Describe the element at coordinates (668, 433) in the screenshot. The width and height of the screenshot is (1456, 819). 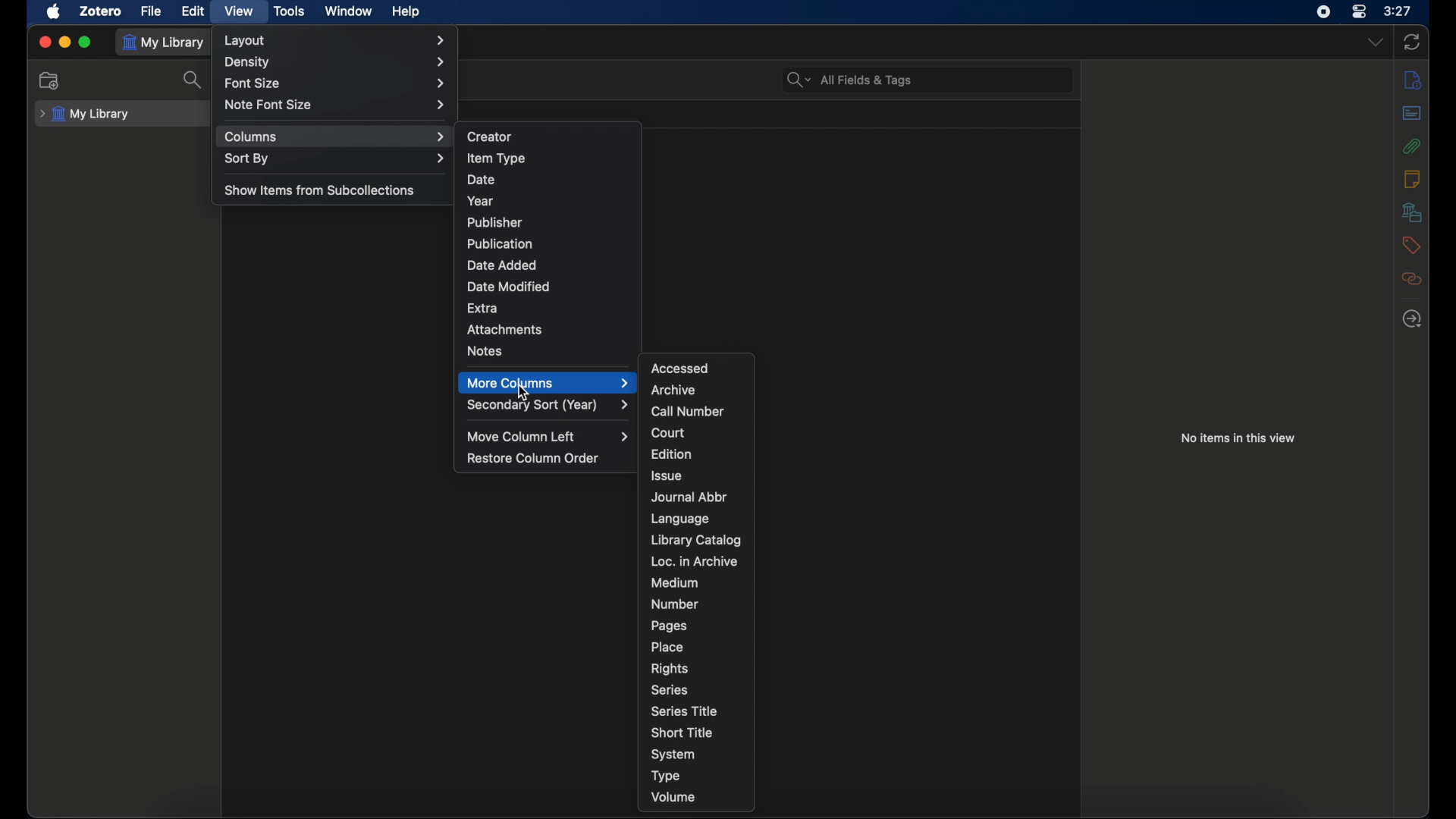
I see `court` at that location.